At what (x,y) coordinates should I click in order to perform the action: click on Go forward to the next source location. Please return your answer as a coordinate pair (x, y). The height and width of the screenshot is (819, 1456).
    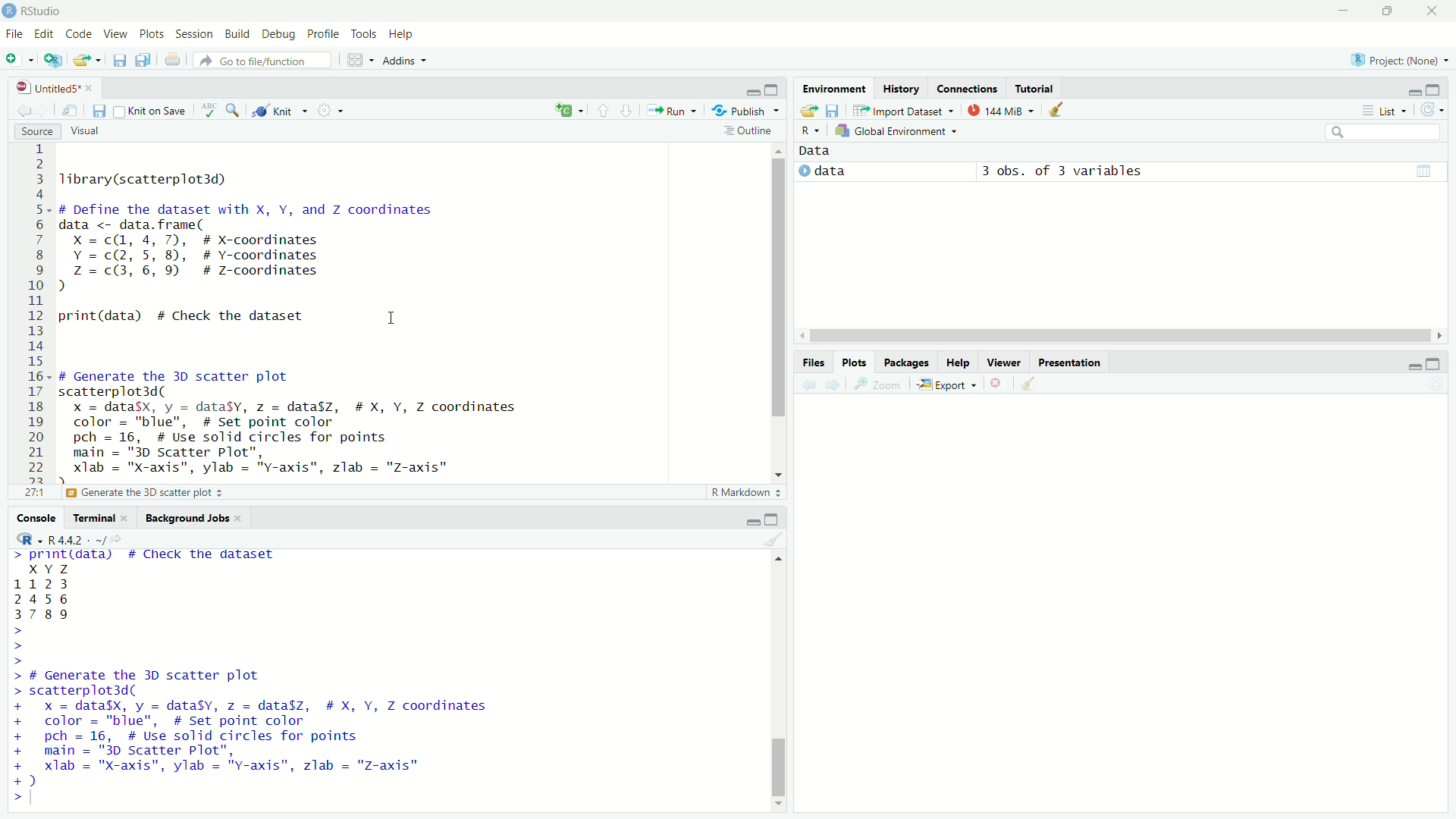
    Looking at the image, I should click on (42, 109).